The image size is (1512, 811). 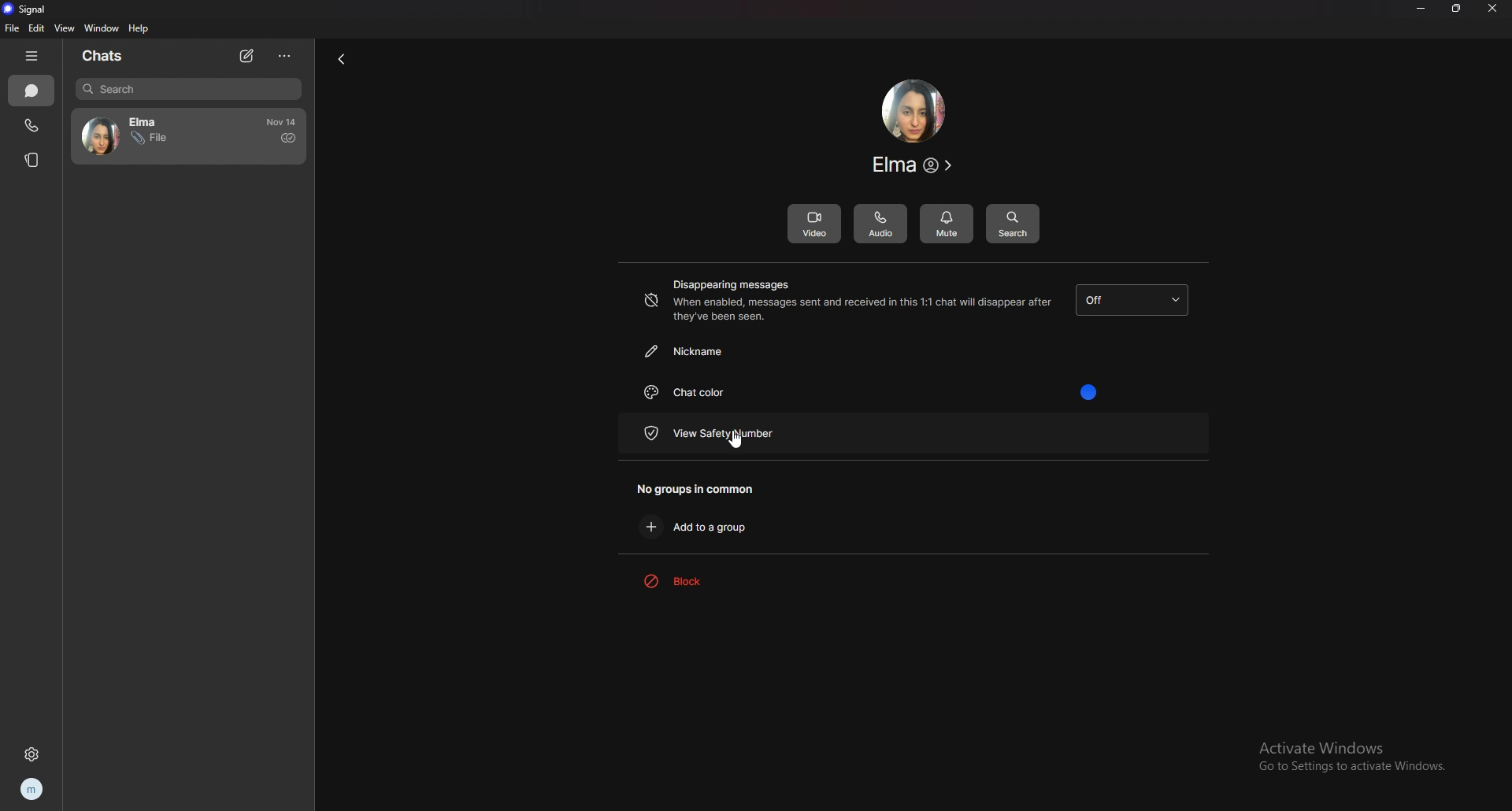 What do you see at coordinates (65, 28) in the screenshot?
I see `view` at bounding box center [65, 28].